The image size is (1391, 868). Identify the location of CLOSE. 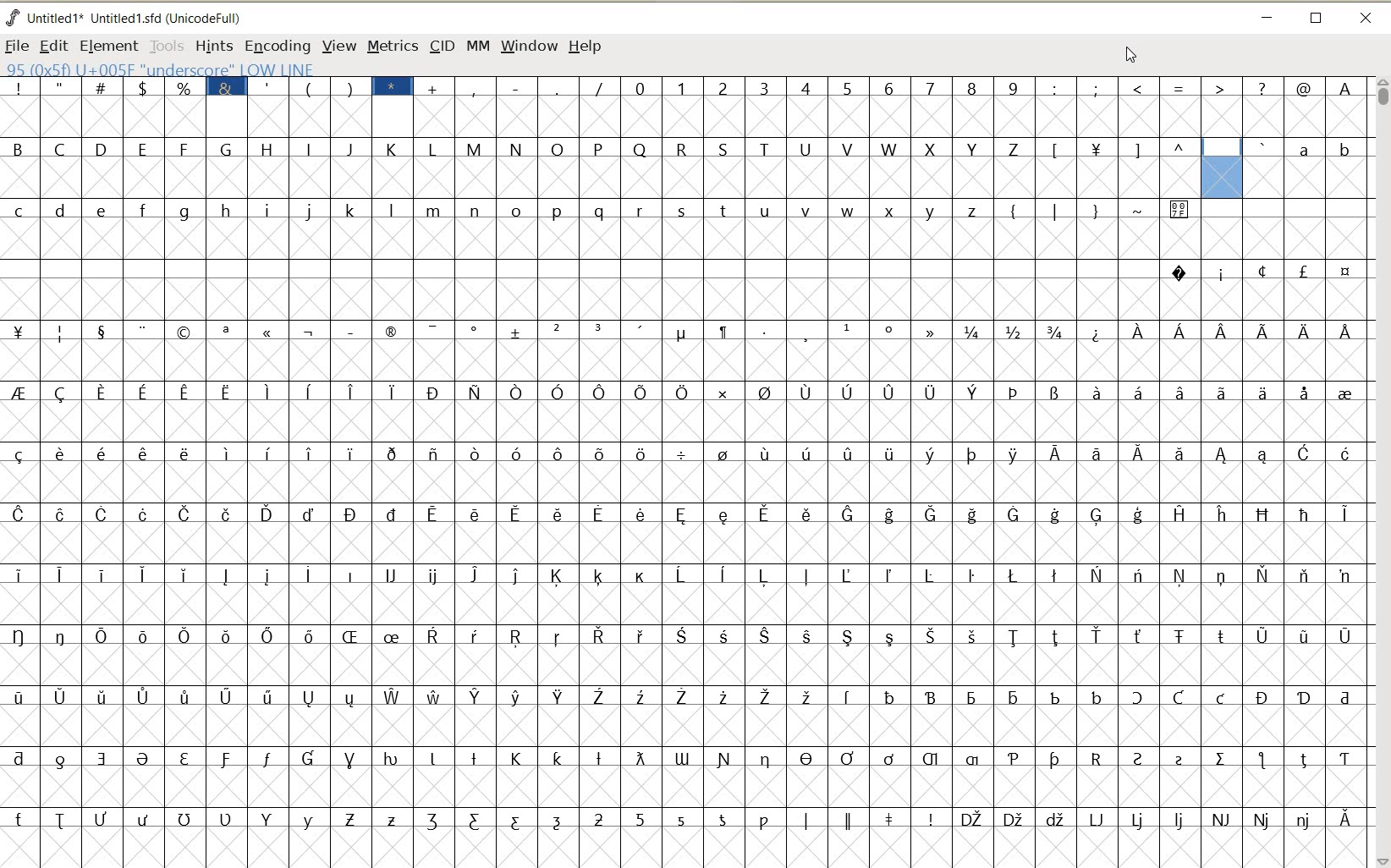
(1367, 19).